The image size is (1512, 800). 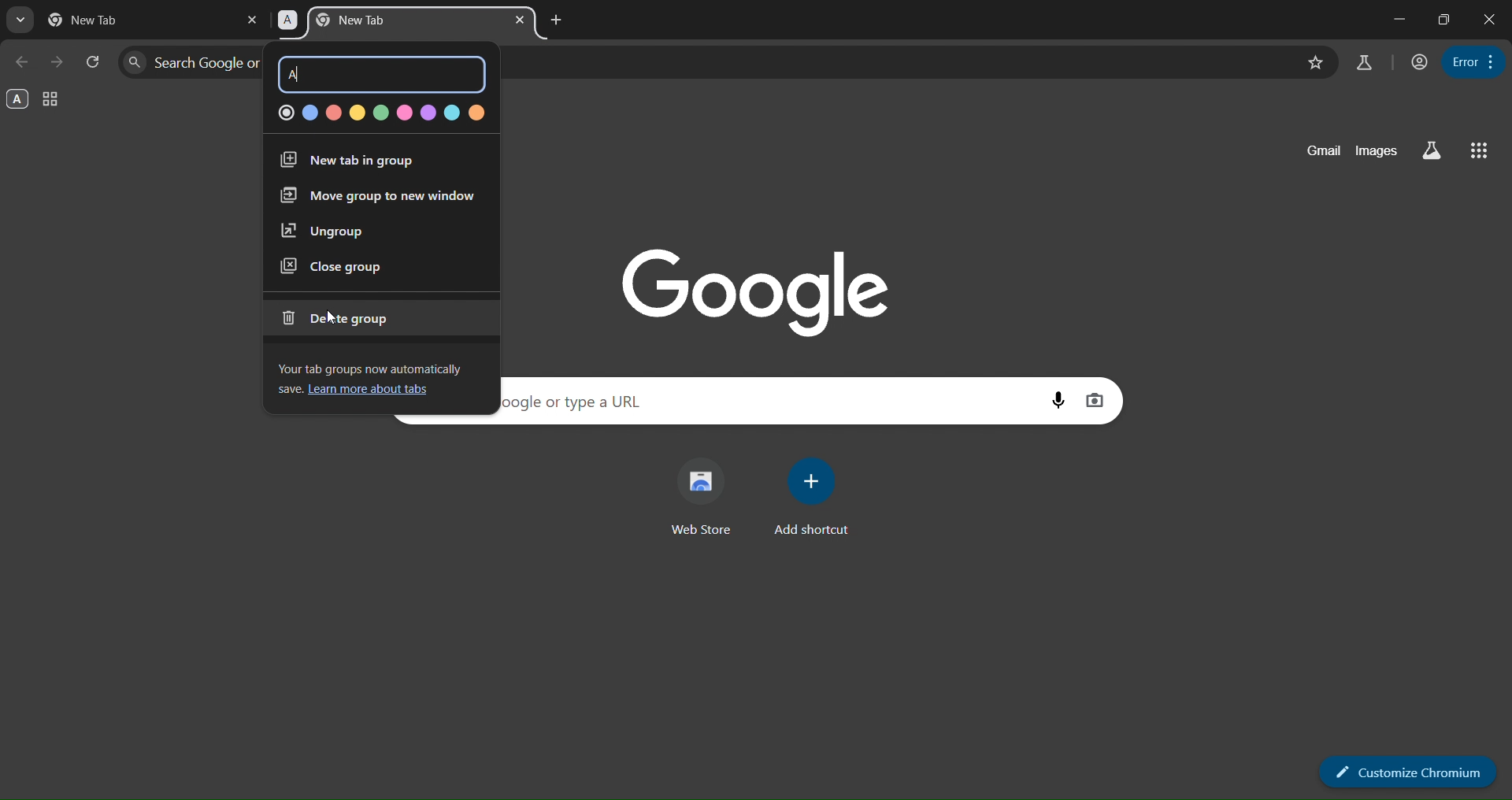 What do you see at coordinates (378, 112) in the screenshot?
I see `color panel` at bounding box center [378, 112].